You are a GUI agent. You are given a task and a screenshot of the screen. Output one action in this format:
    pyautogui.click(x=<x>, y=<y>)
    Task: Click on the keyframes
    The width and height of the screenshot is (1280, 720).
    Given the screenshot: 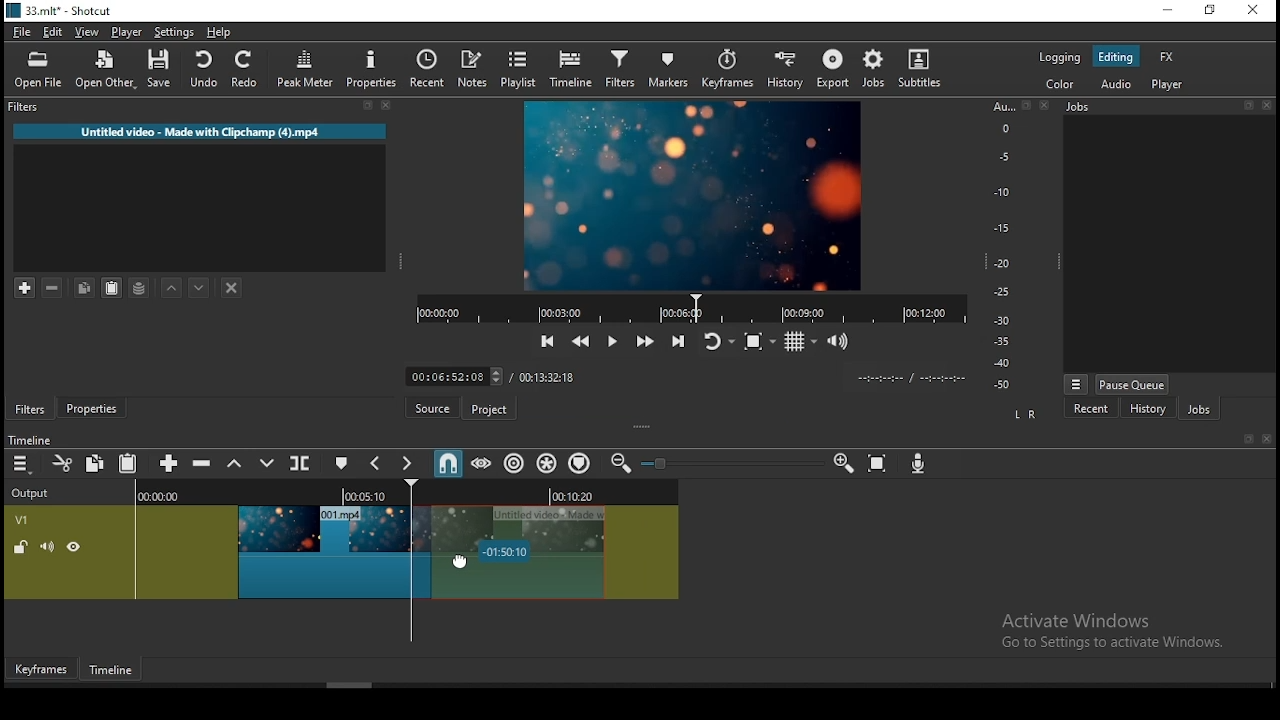 What is the action you would take?
    pyautogui.click(x=725, y=69)
    